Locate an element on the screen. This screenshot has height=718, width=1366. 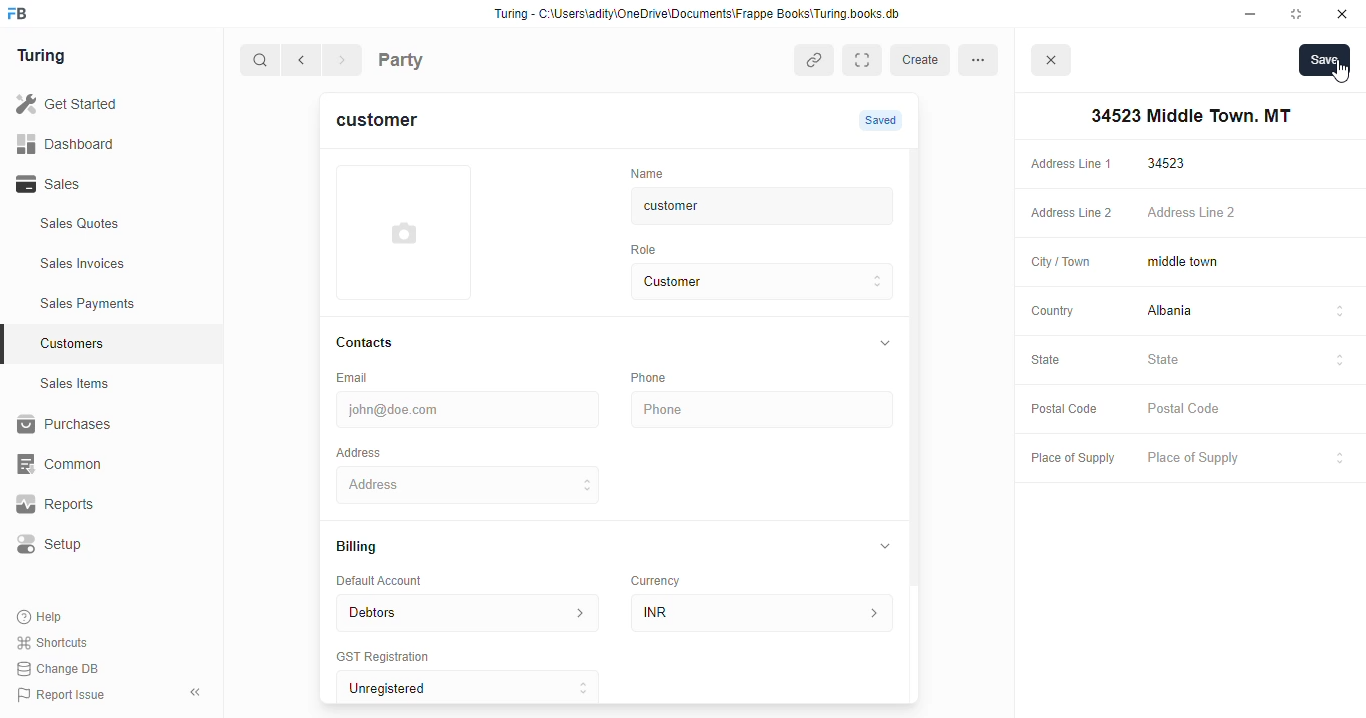
Turing is located at coordinates (46, 57).